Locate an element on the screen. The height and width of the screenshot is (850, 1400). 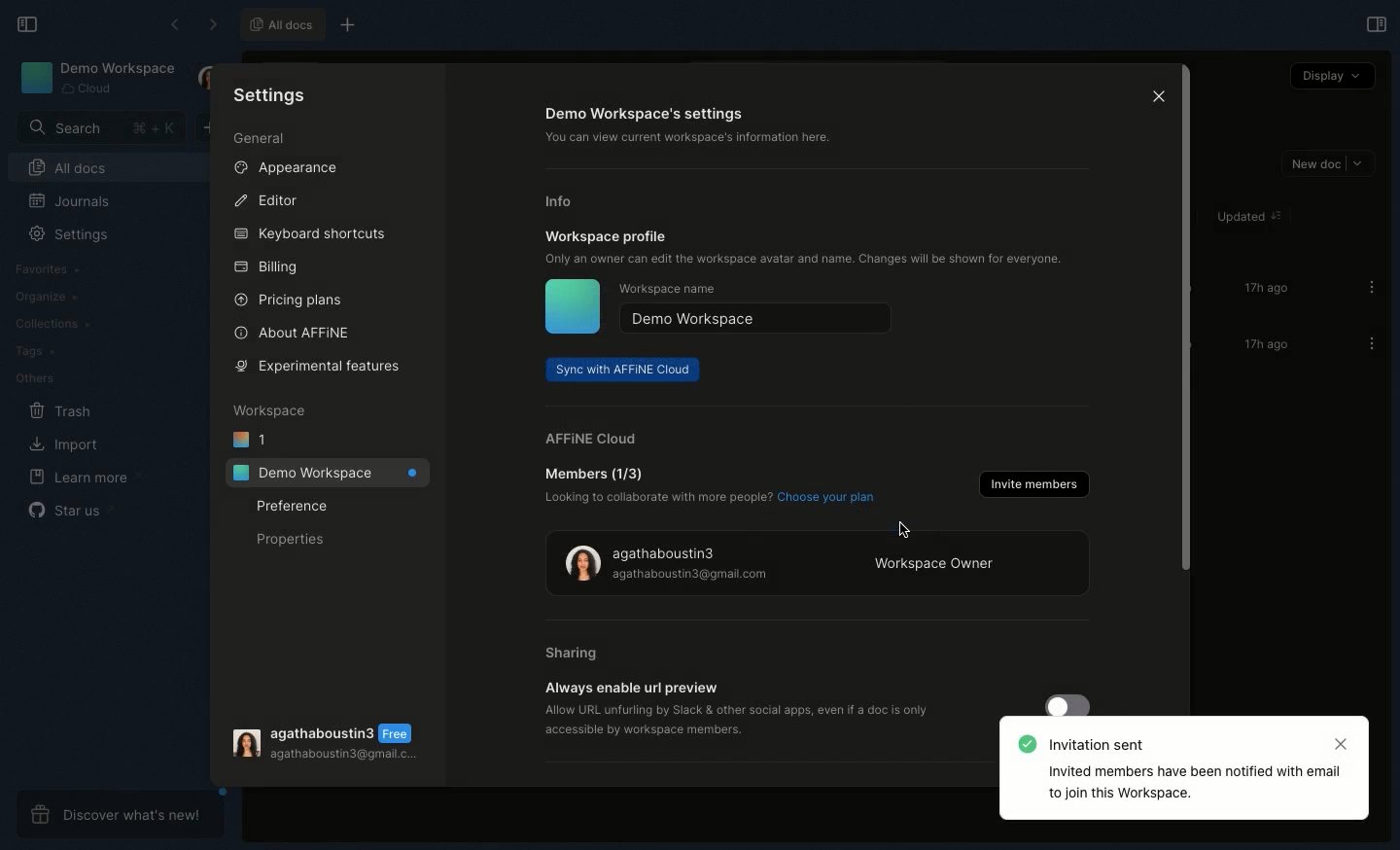
New doc is located at coordinates (214, 128).